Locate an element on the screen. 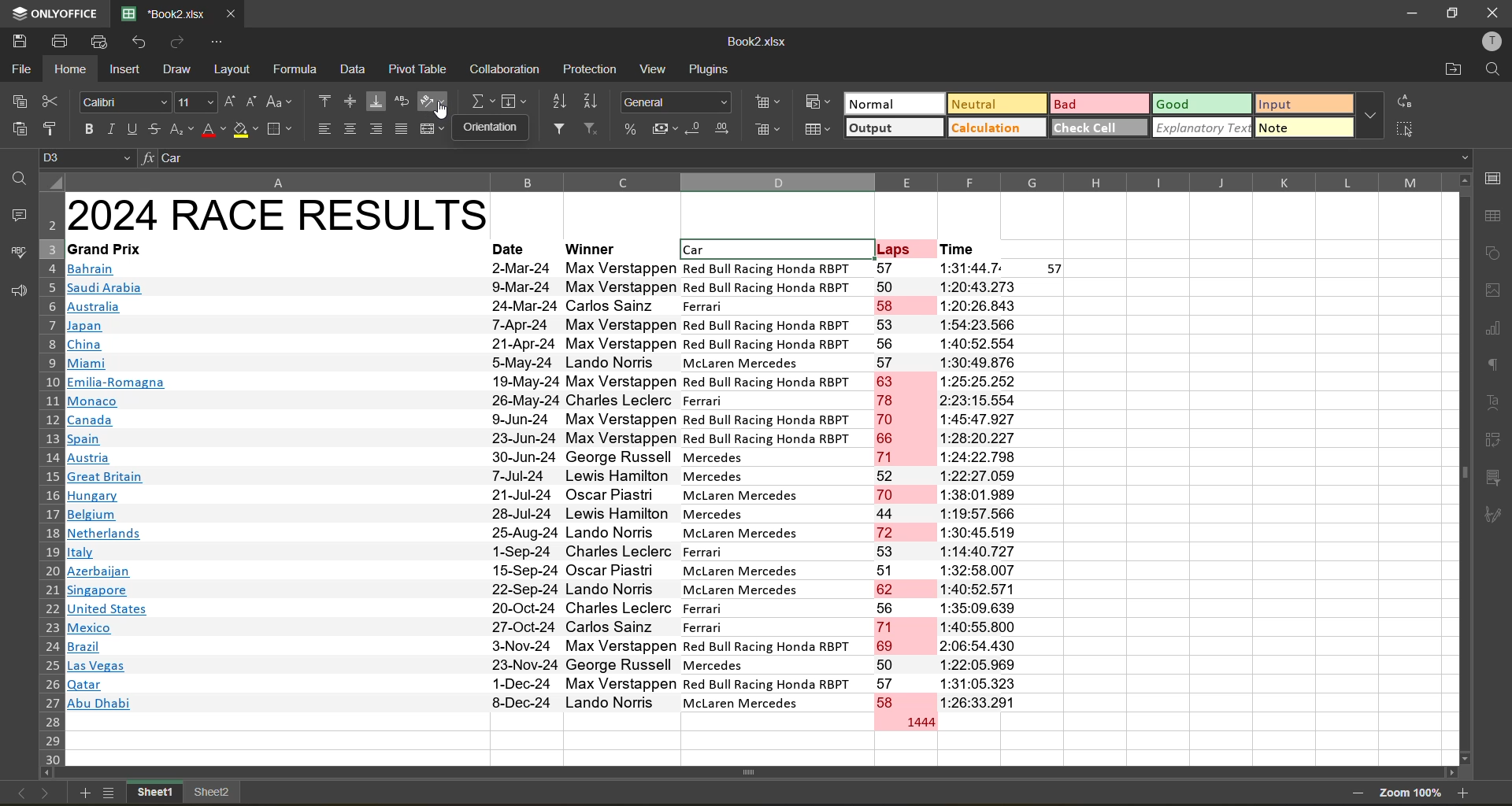  comments is located at coordinates (15, 213).